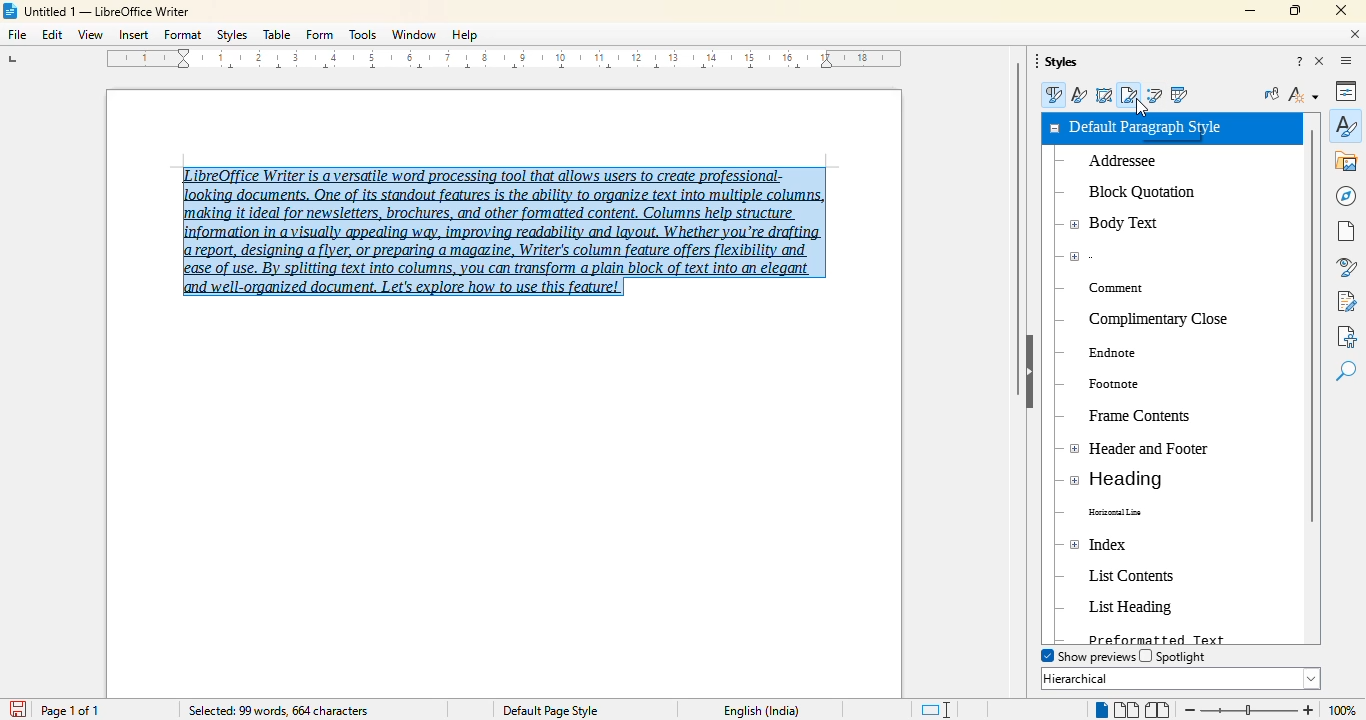  What do you see at coordinates (1272, 94) in the screenshot?
I see `fill format mode` at bounding box center [1272, 94].